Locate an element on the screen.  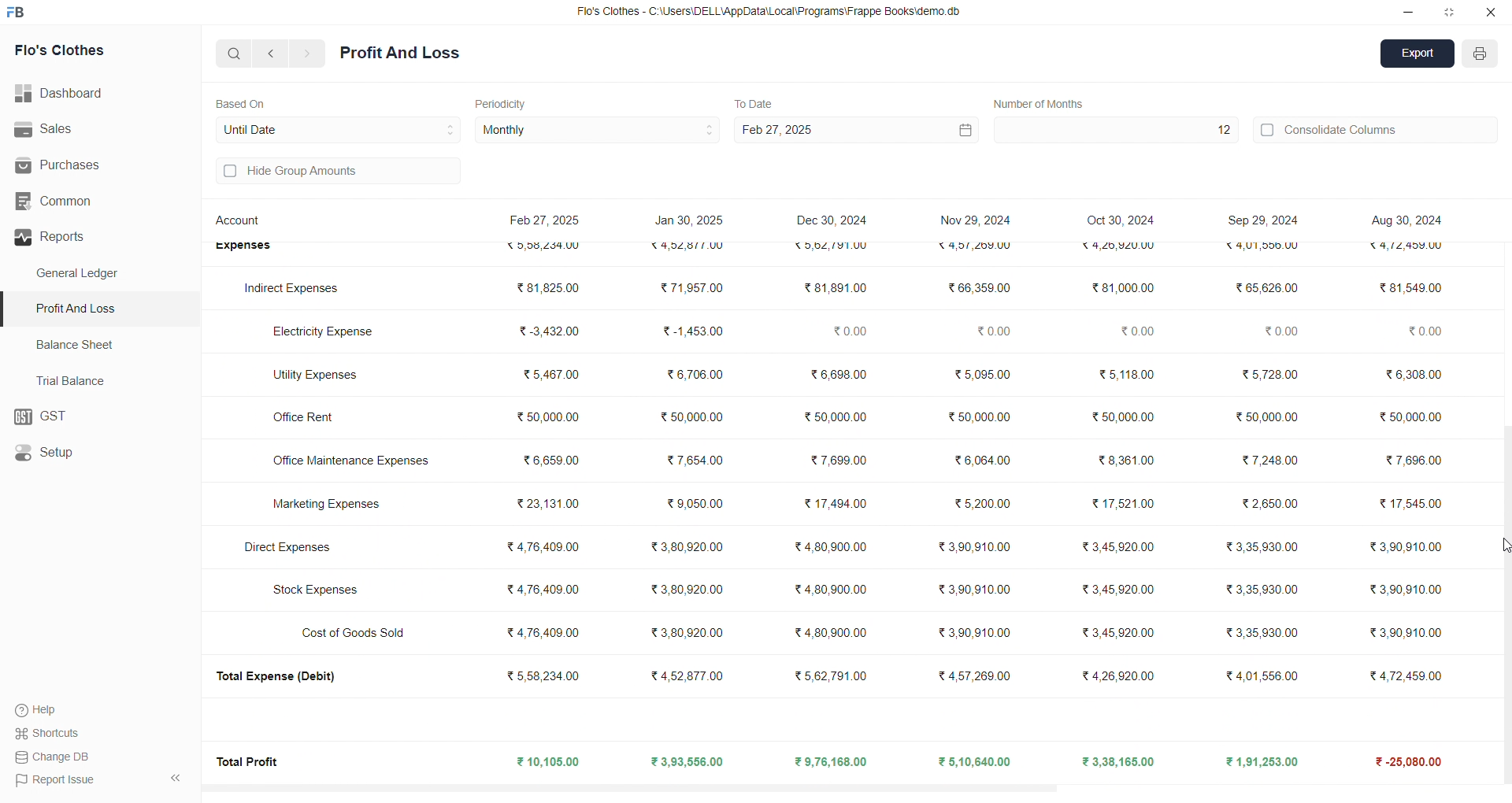
General Ledger is located at coordinates (86, 274).